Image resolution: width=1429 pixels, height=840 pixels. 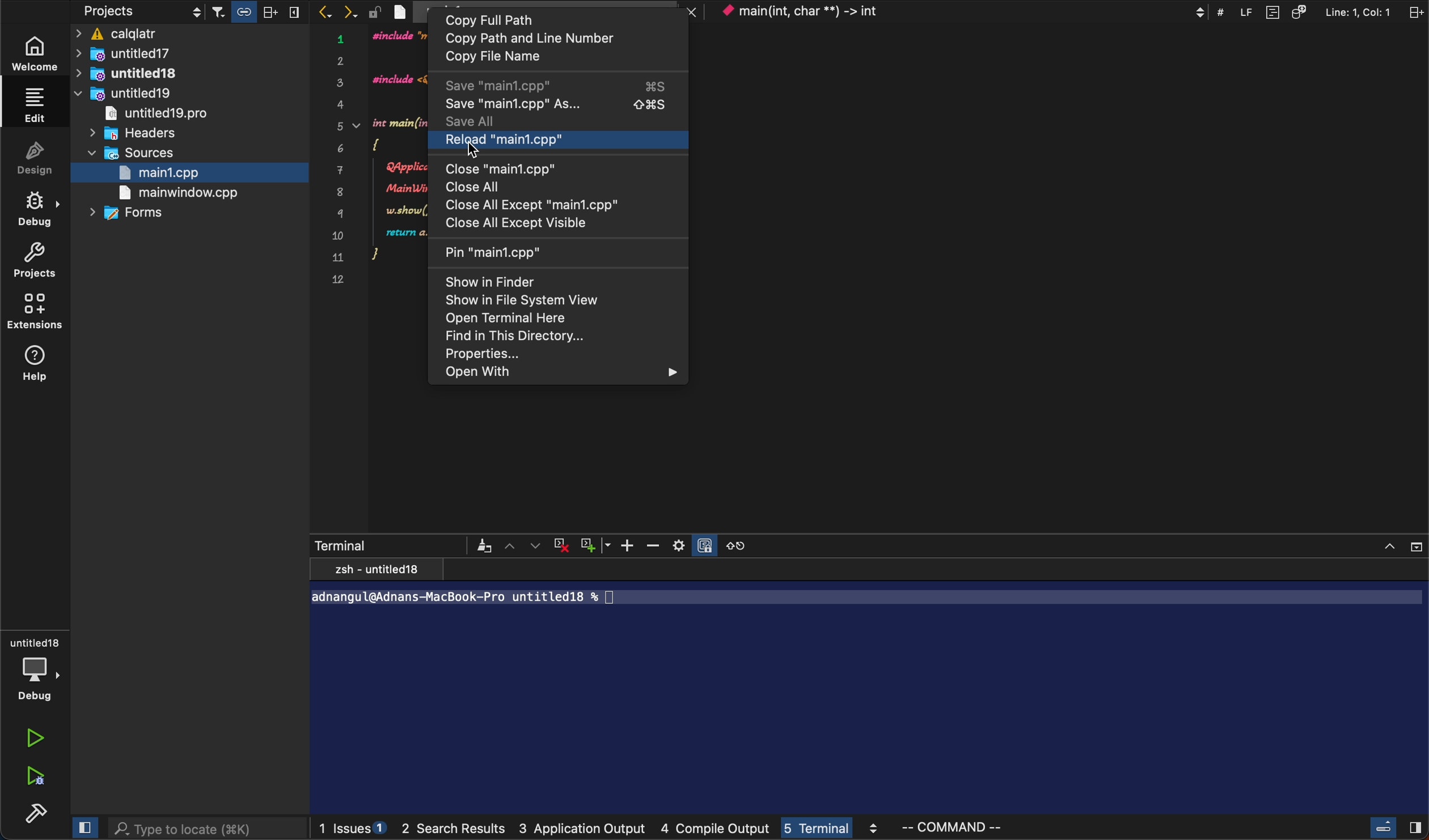 What do you see at coordinates (162, 134) in the screenshot?
I see `headers` at bounding box center [162, 134].